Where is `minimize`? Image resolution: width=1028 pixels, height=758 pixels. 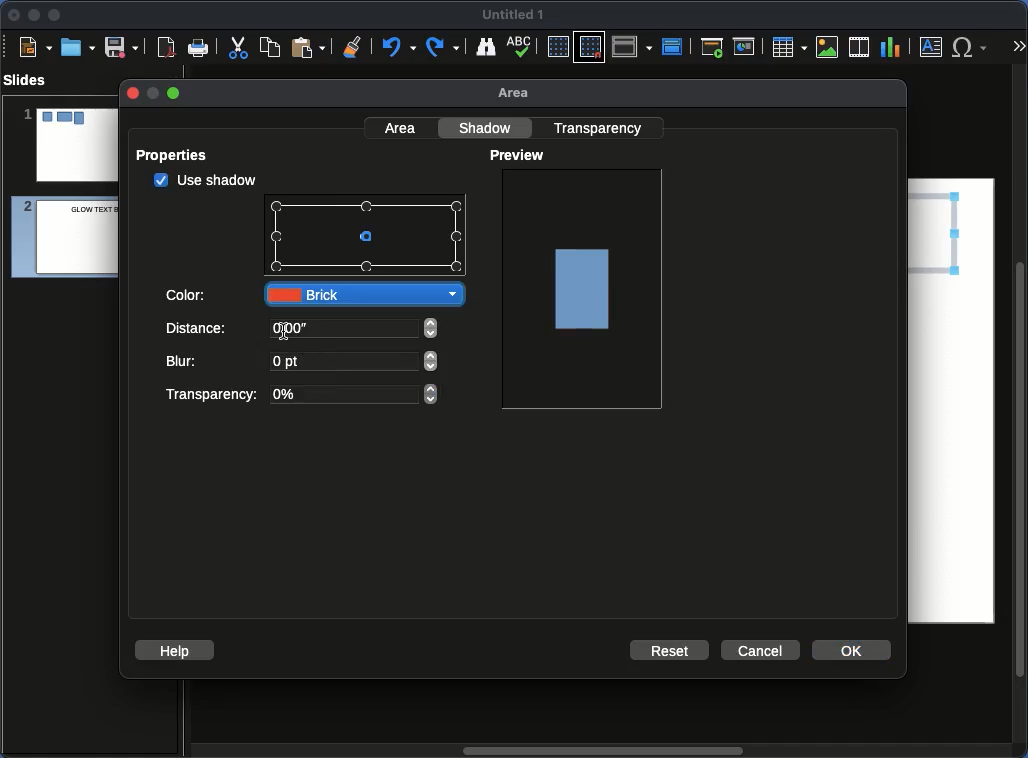
minimize is located at coordinates (151, 93).